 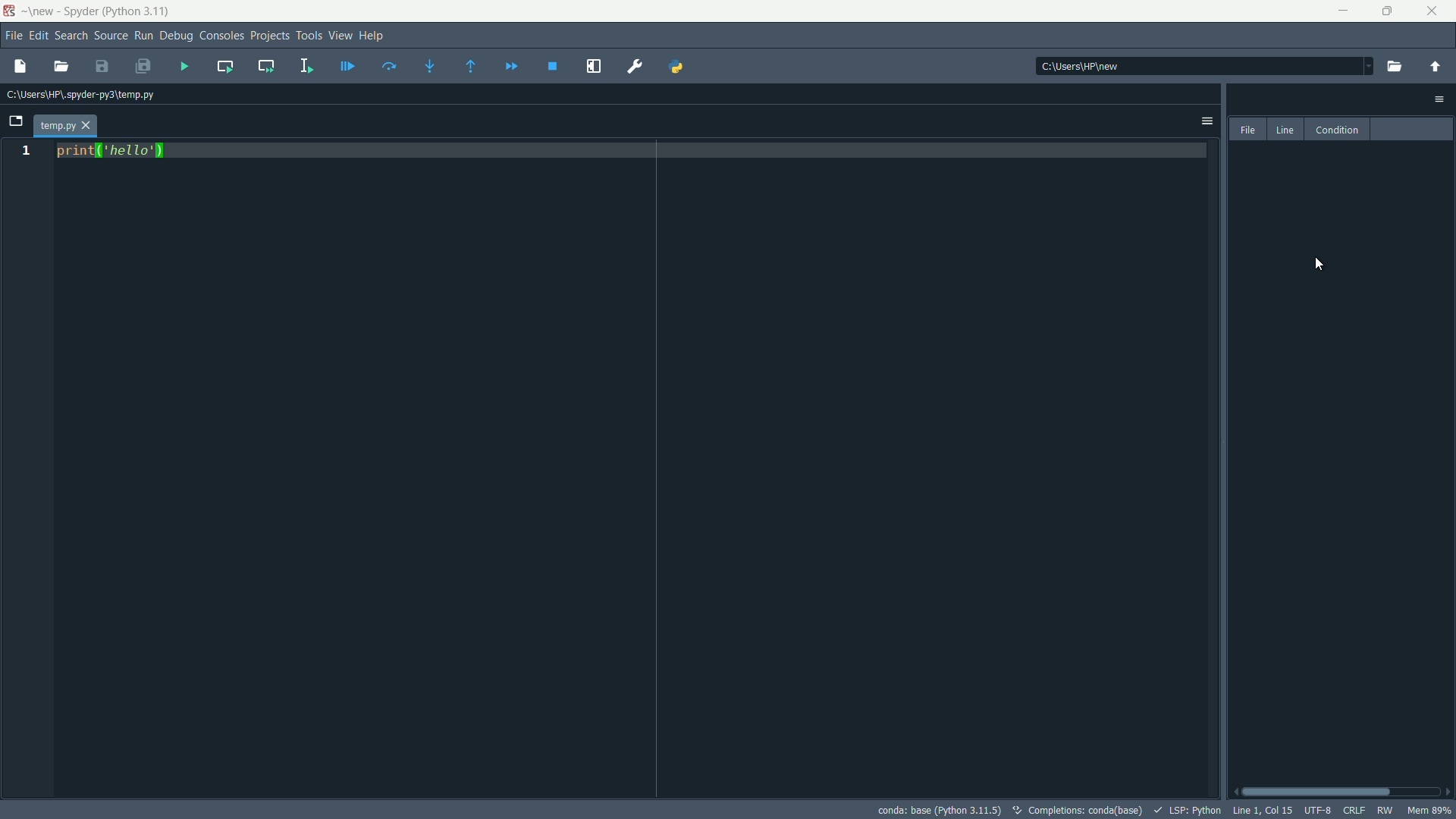 What do you see at coordinates (374, 36) in the screenshot?
I see `help menu` at bounding box center [374, 36].